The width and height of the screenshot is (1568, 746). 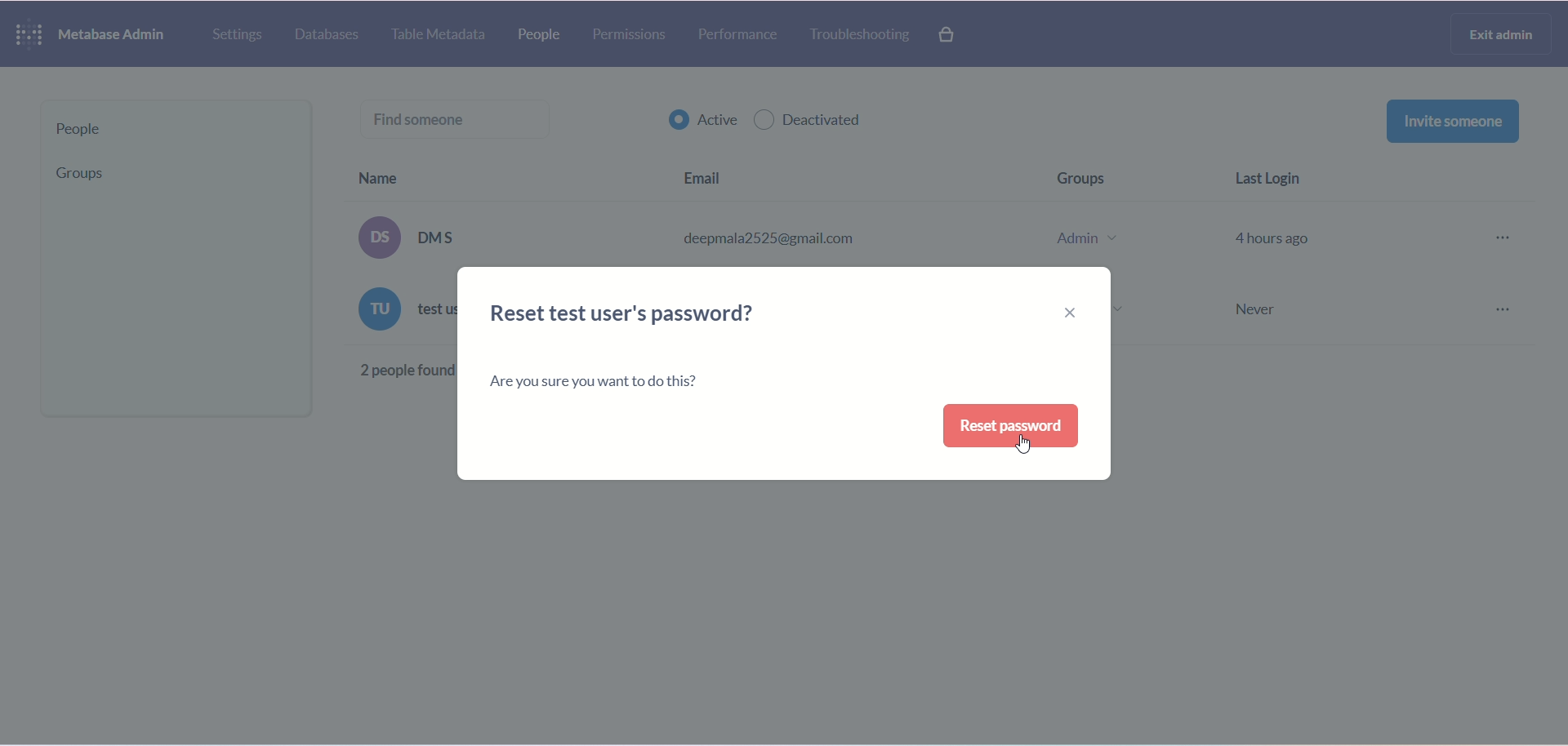 I want to click on text, so click(x=606, y=383).